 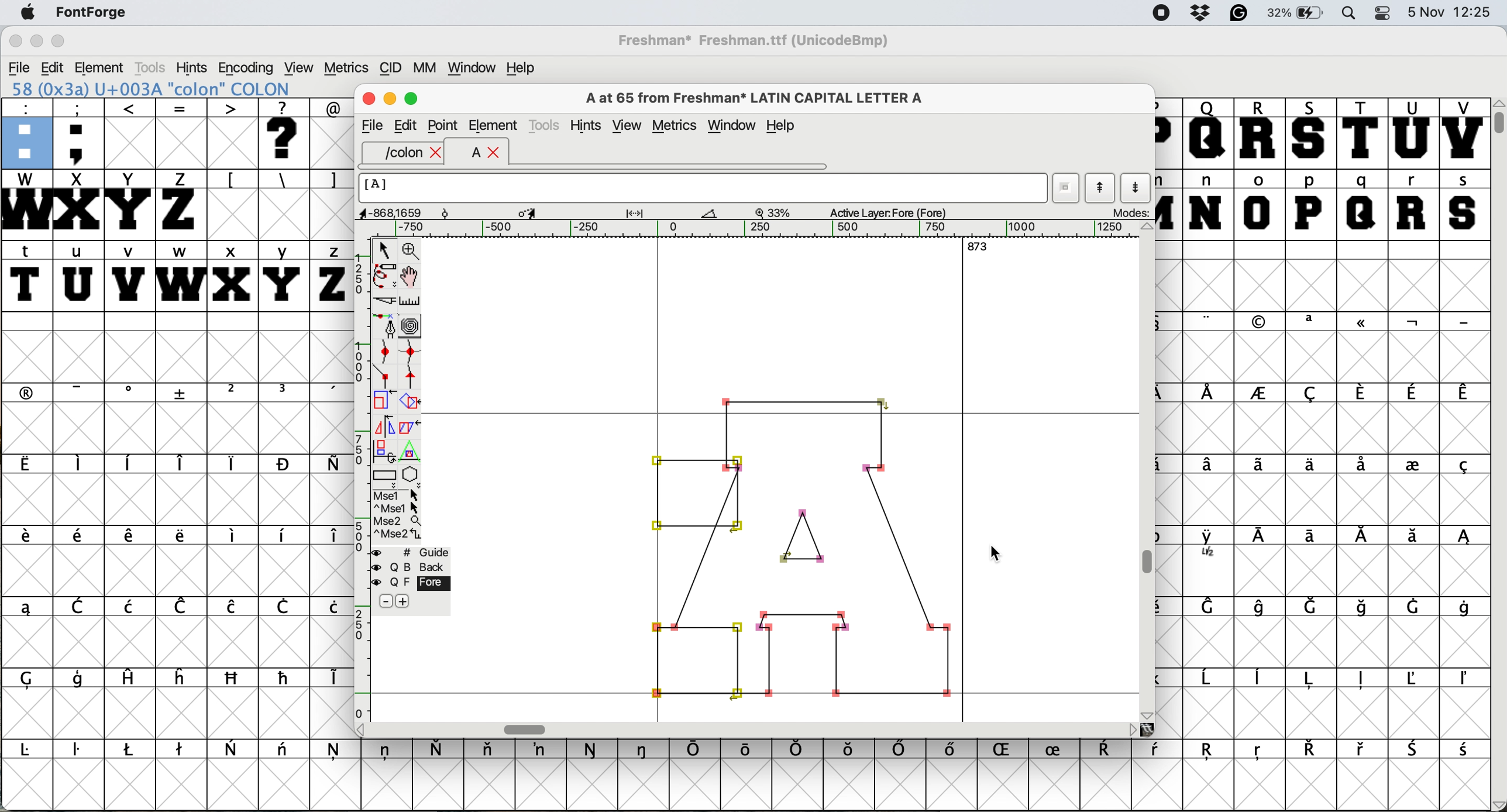 I want to click on symbol, so click(x=1412, y=322).